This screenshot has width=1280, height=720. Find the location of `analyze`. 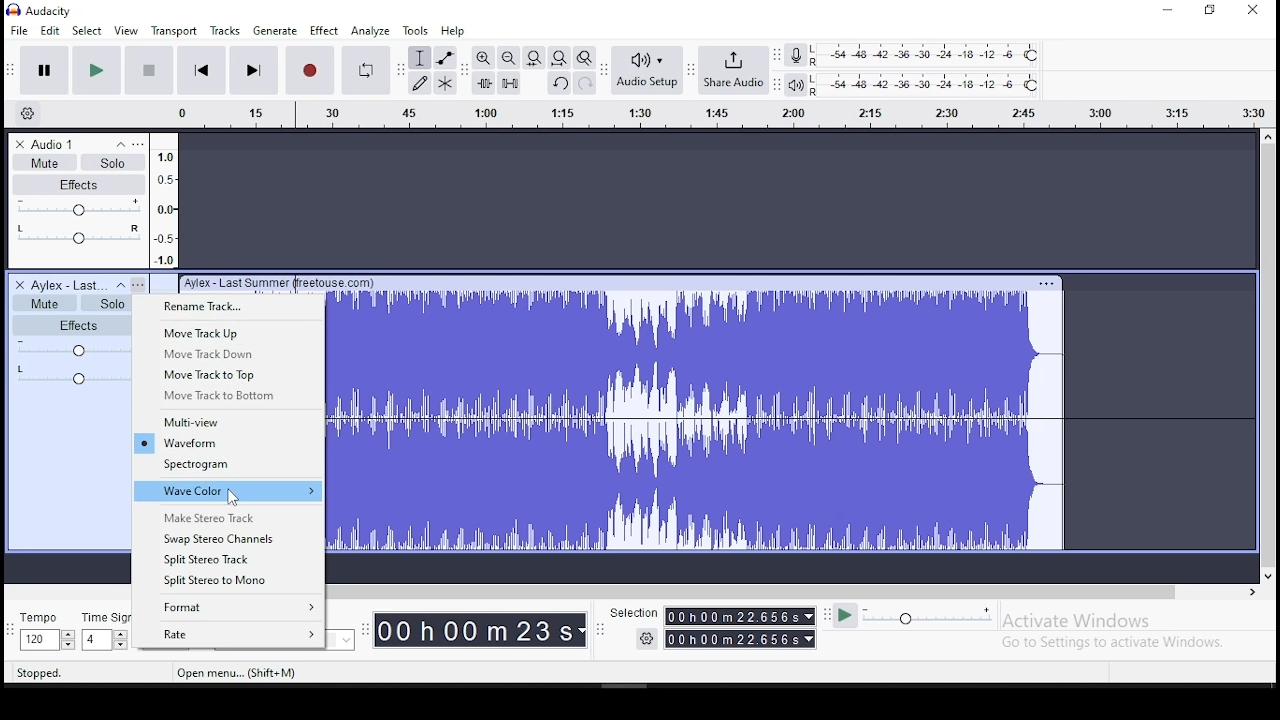

analyze is located at coordinates (371, 31).